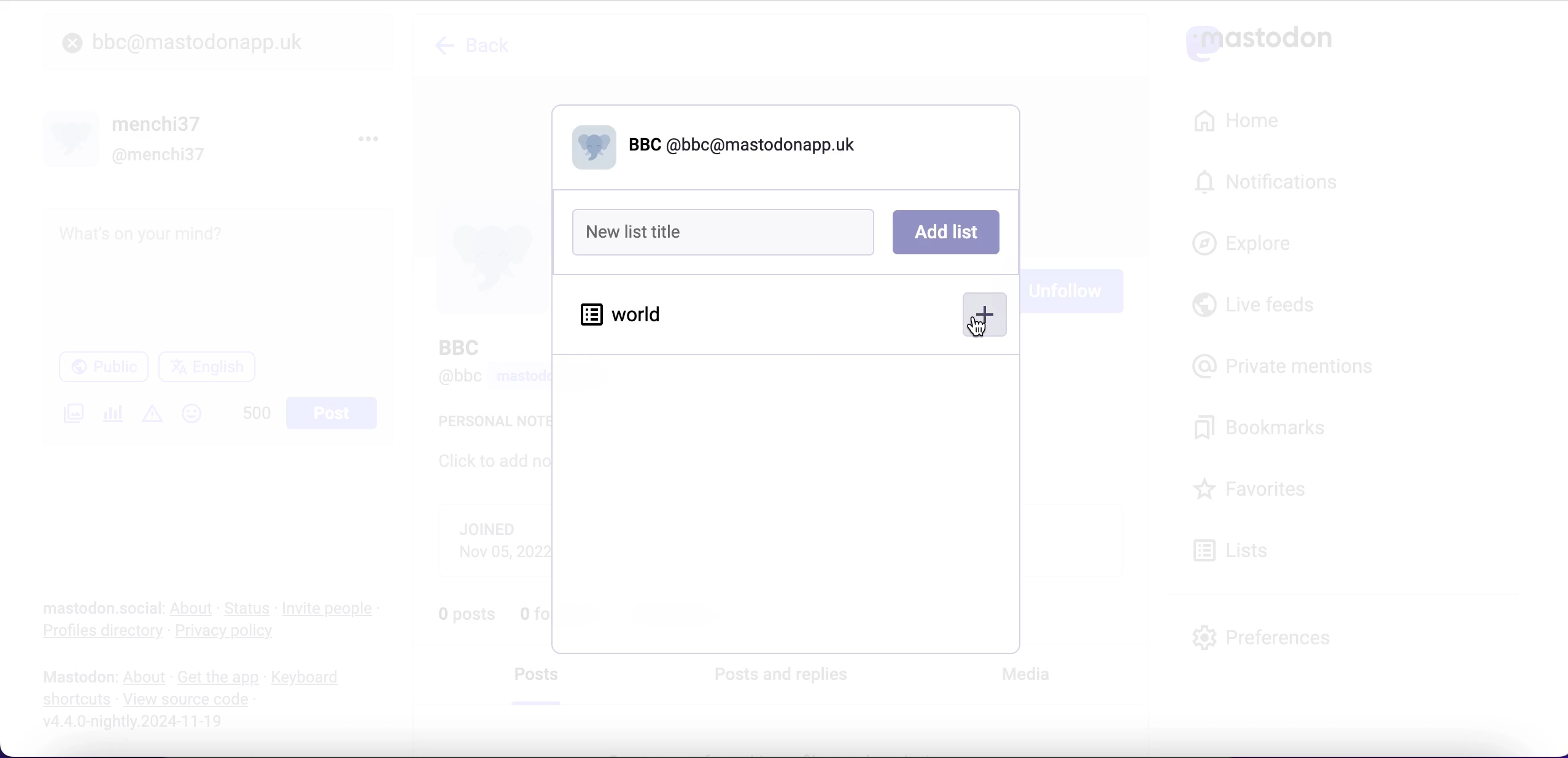 This screenshot has width=1568, height=758. Describe the element at coordinates (623, 315) in the screenshot. I see `world` at that location.